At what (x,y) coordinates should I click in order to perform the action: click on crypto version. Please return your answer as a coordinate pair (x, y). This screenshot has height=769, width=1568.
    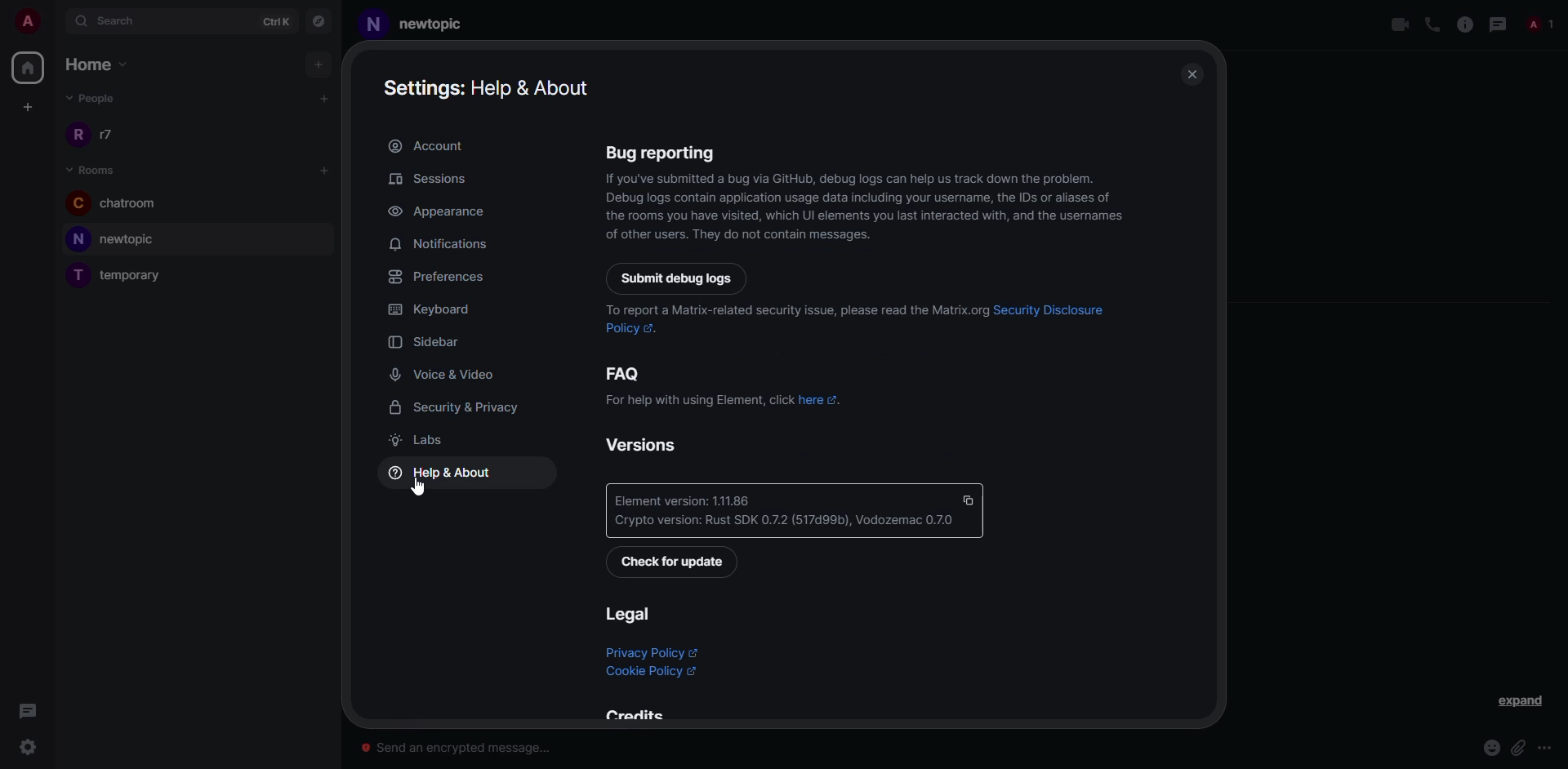
    Looking at the image, I should click on (788, 521).